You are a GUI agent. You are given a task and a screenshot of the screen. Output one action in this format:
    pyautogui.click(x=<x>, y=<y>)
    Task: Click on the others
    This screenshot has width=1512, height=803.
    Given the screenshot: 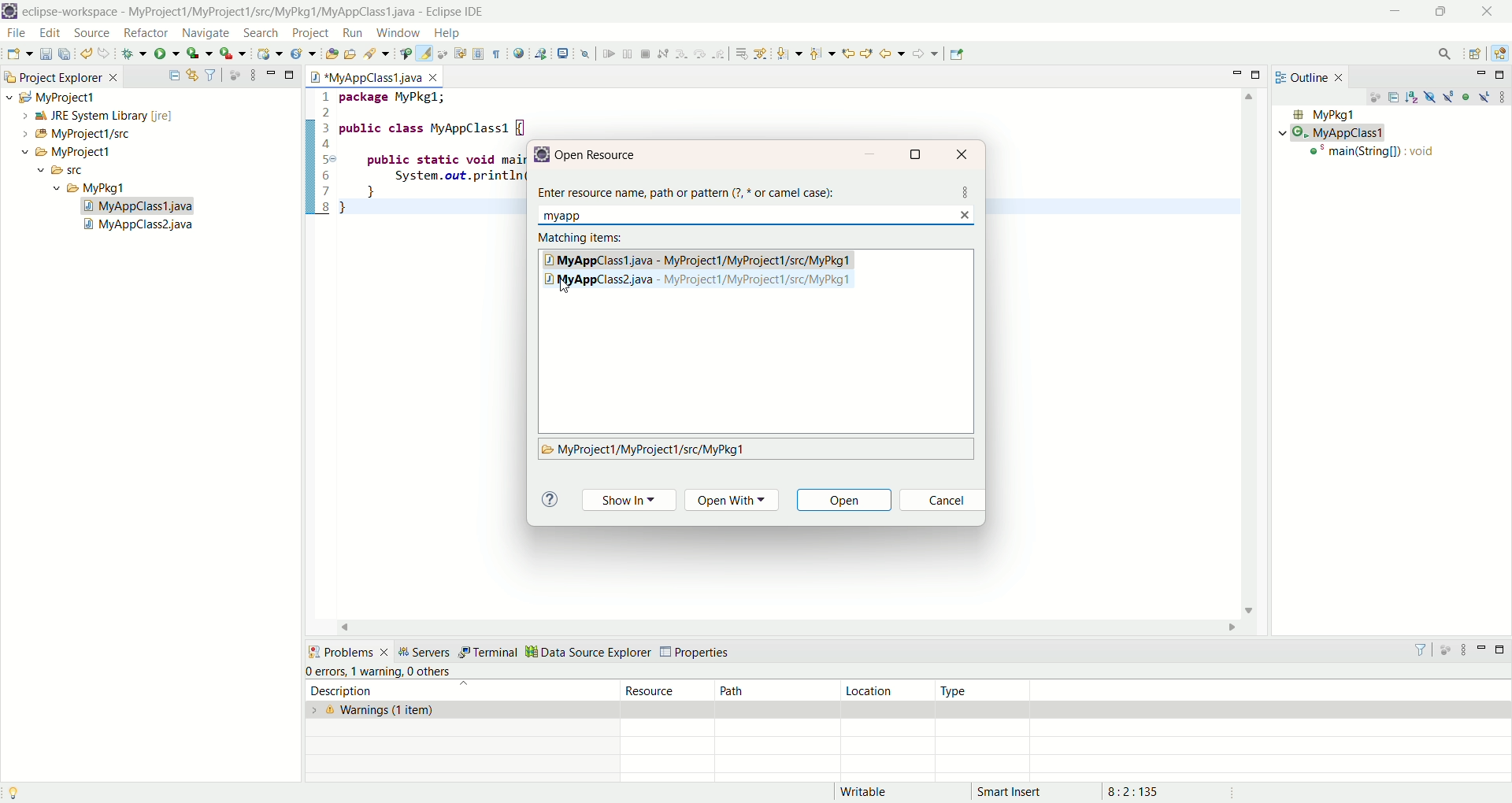 What is the action you would take?
    pyautogui.click(x=433, y=672)
    